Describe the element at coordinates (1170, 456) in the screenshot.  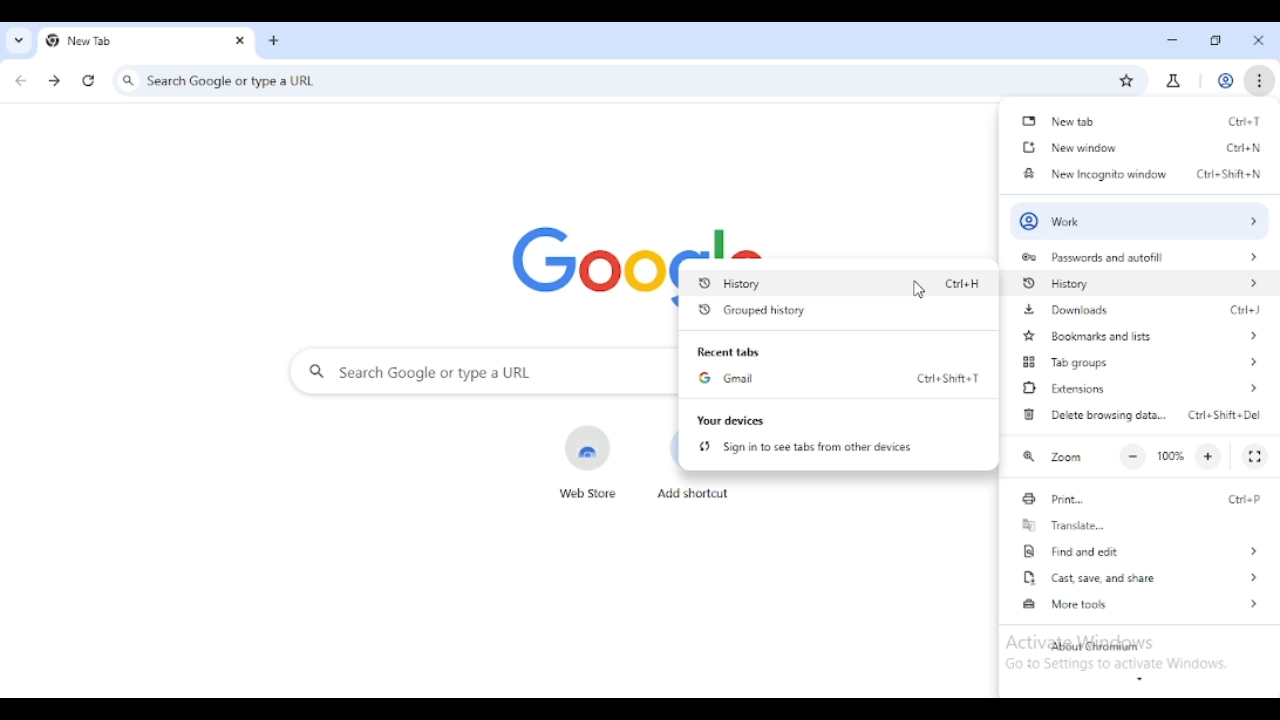
I see `100%` at that location.